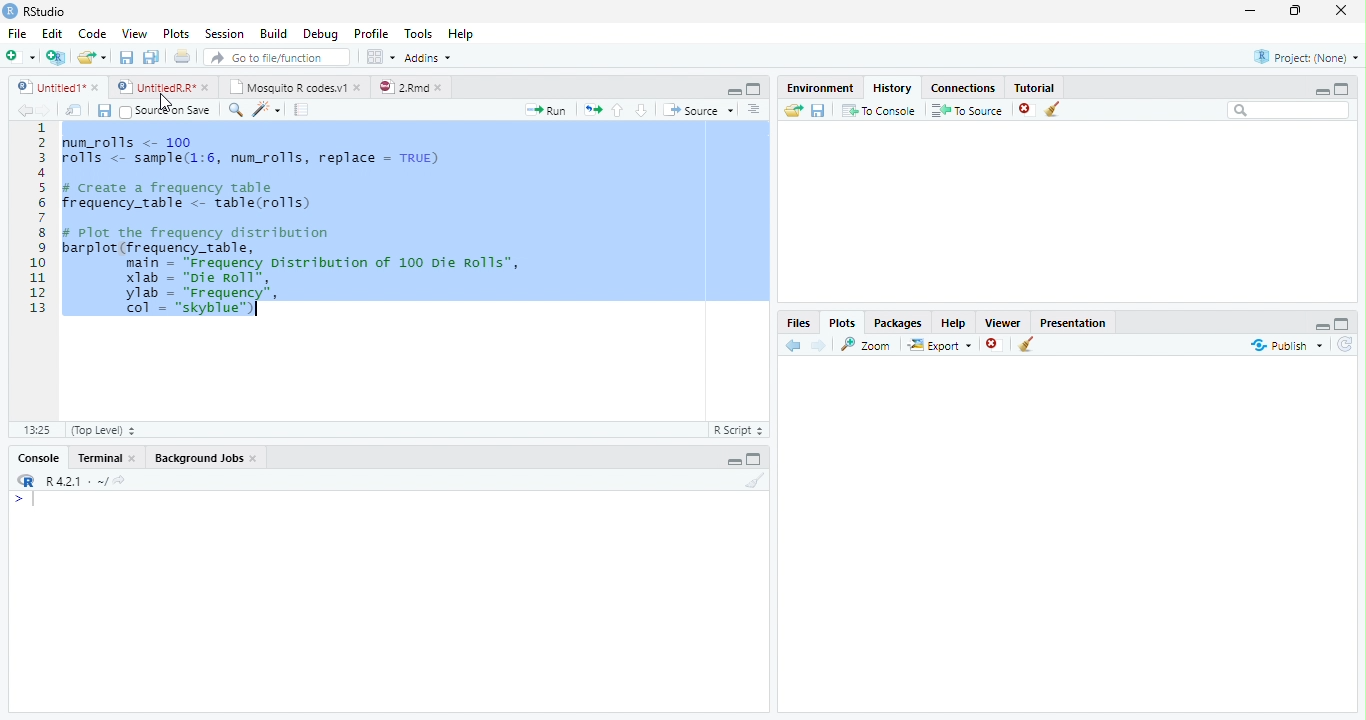 The image size is (1366, 720). What do you see at coordinates (76, 110) in the screenshot?
I see `Show in new window` at bounding box center [76, 110].